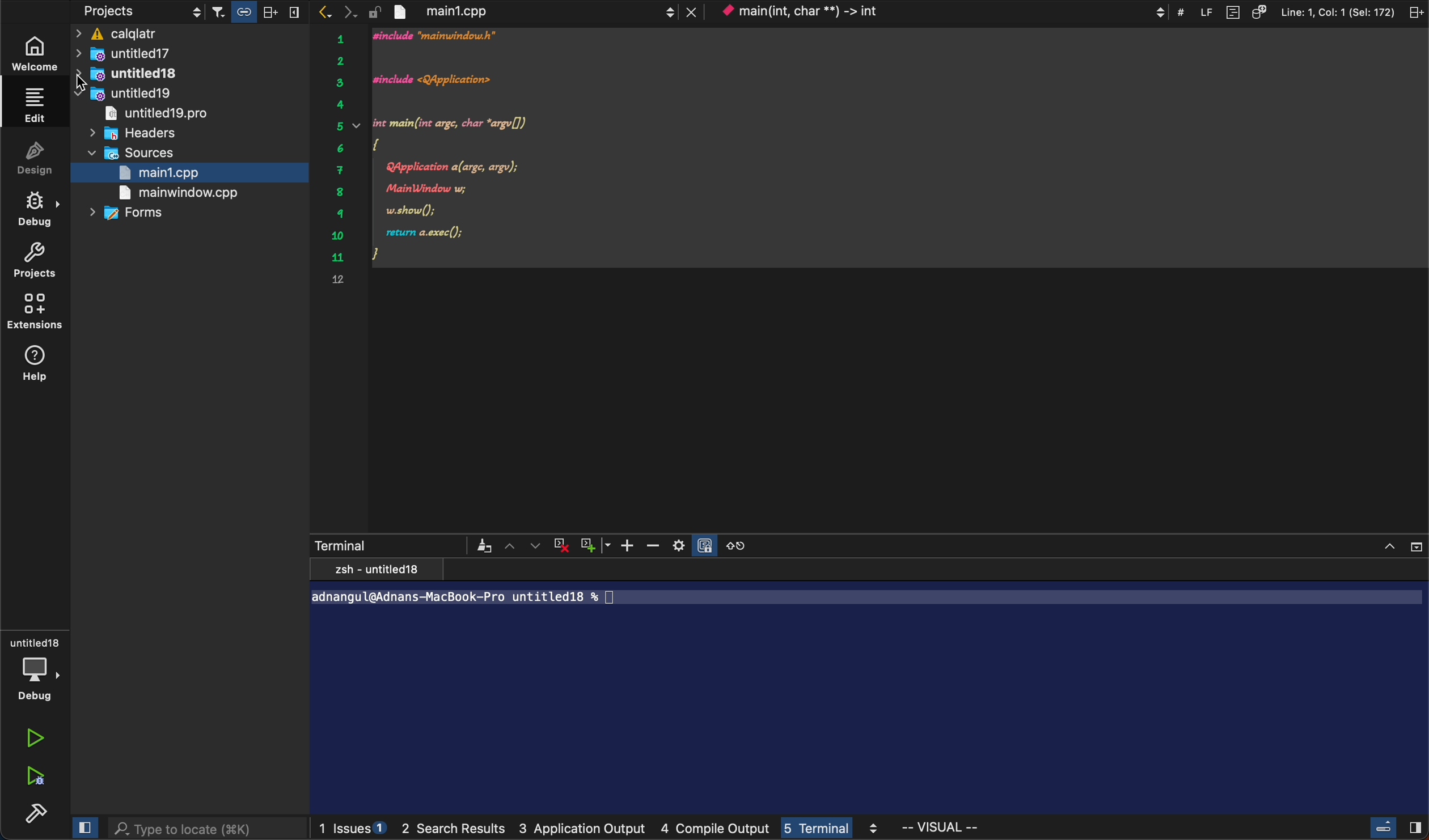 The width and height of the screenshot is (1429, 840). What do you see at coordinates (183, 193) in the screenshot?
I see `main window` at bounding box center [183, 193].